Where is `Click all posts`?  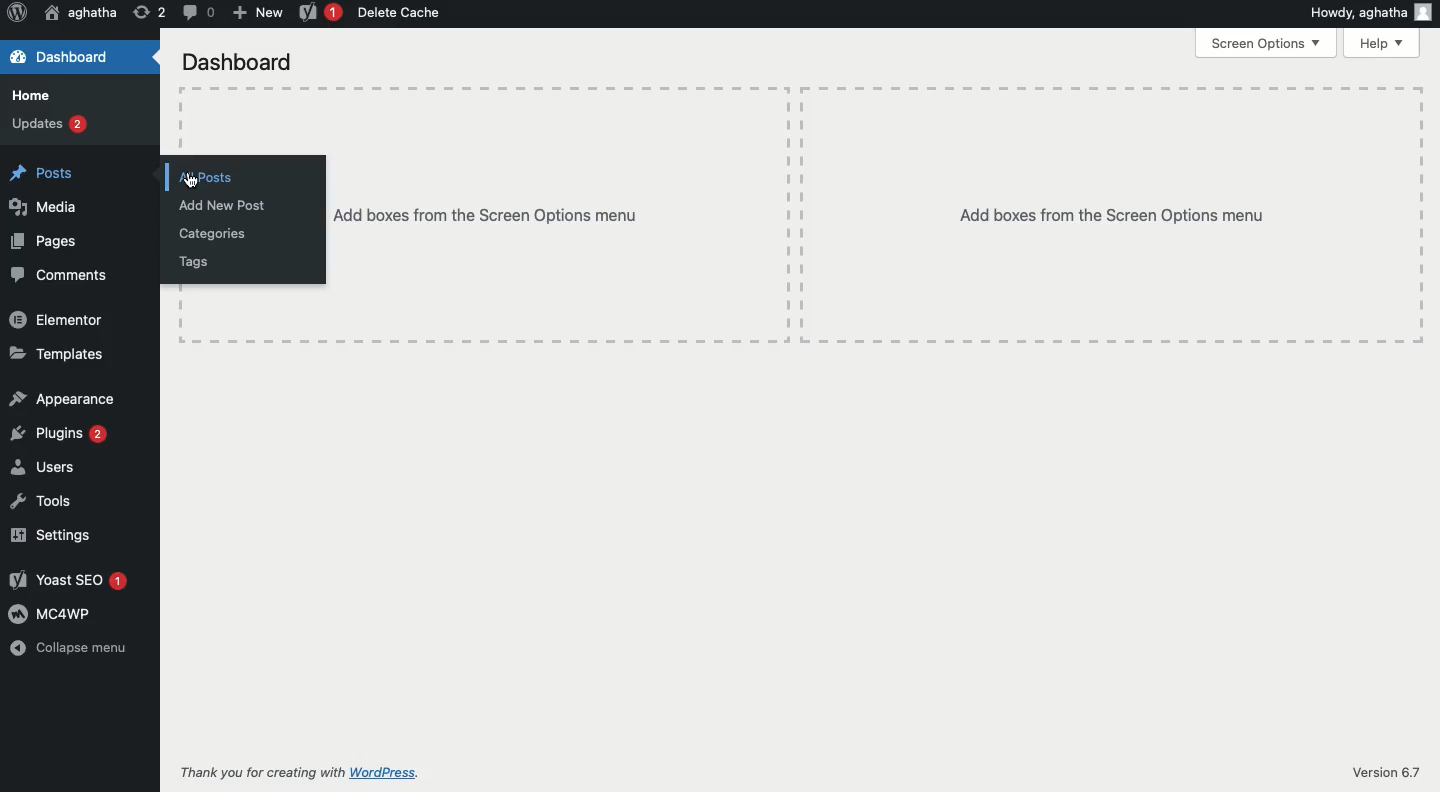
Click all posts is located at coordinates (208, 175).